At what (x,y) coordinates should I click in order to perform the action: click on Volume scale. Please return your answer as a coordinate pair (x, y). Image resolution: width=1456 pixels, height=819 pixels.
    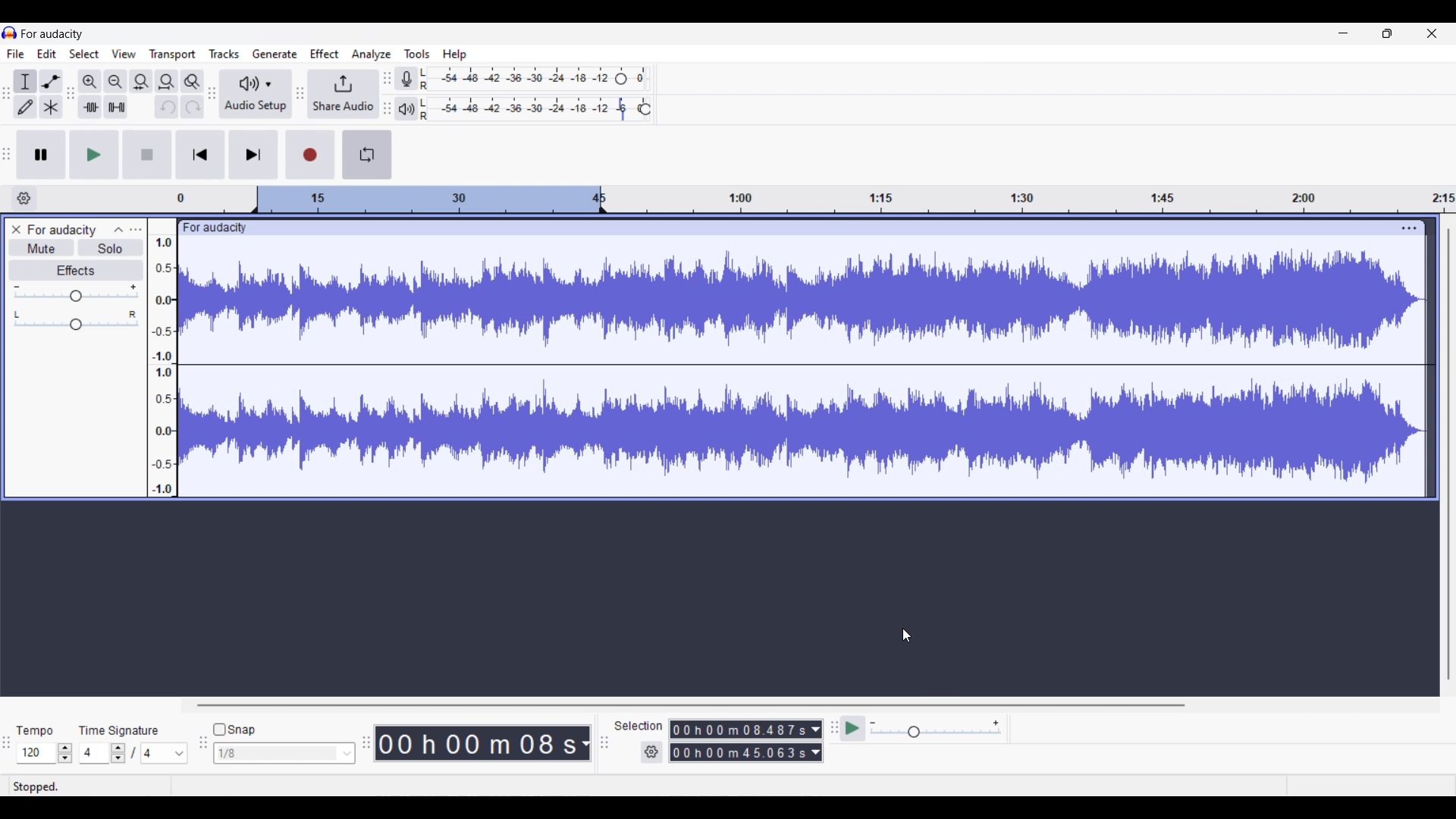
    Looking at the image, I should click on (76, 293).